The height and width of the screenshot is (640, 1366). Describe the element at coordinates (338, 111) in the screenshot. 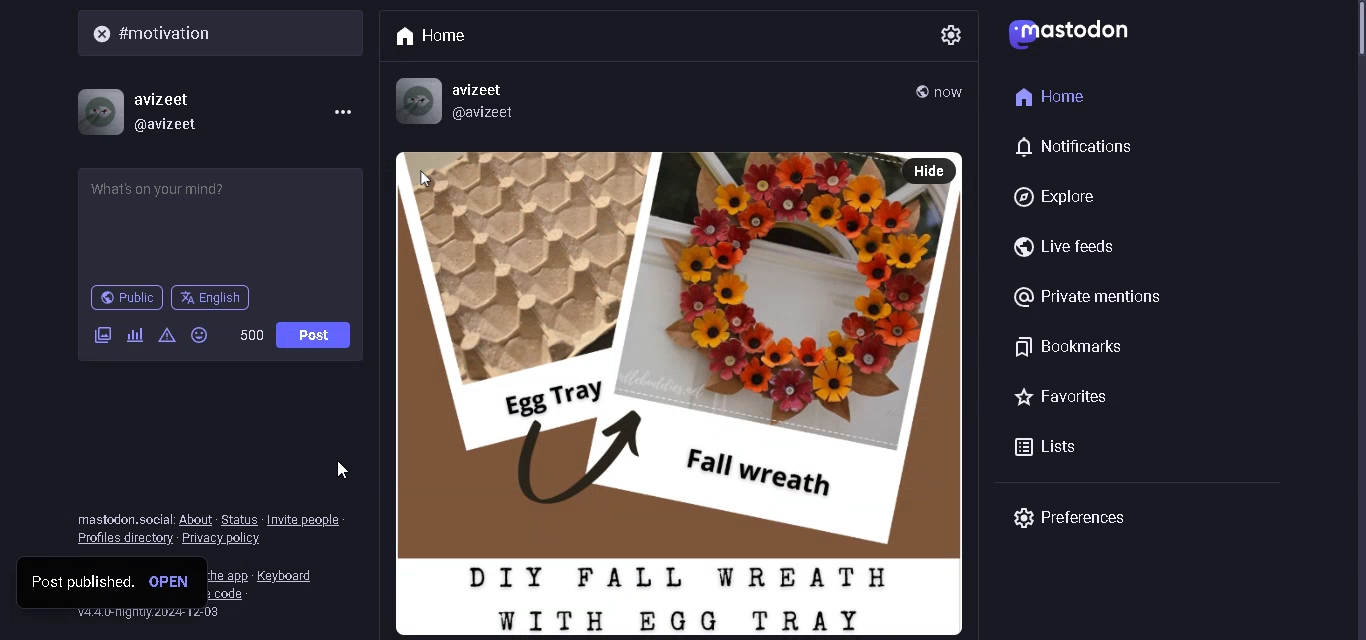

I see `menu` at that location.